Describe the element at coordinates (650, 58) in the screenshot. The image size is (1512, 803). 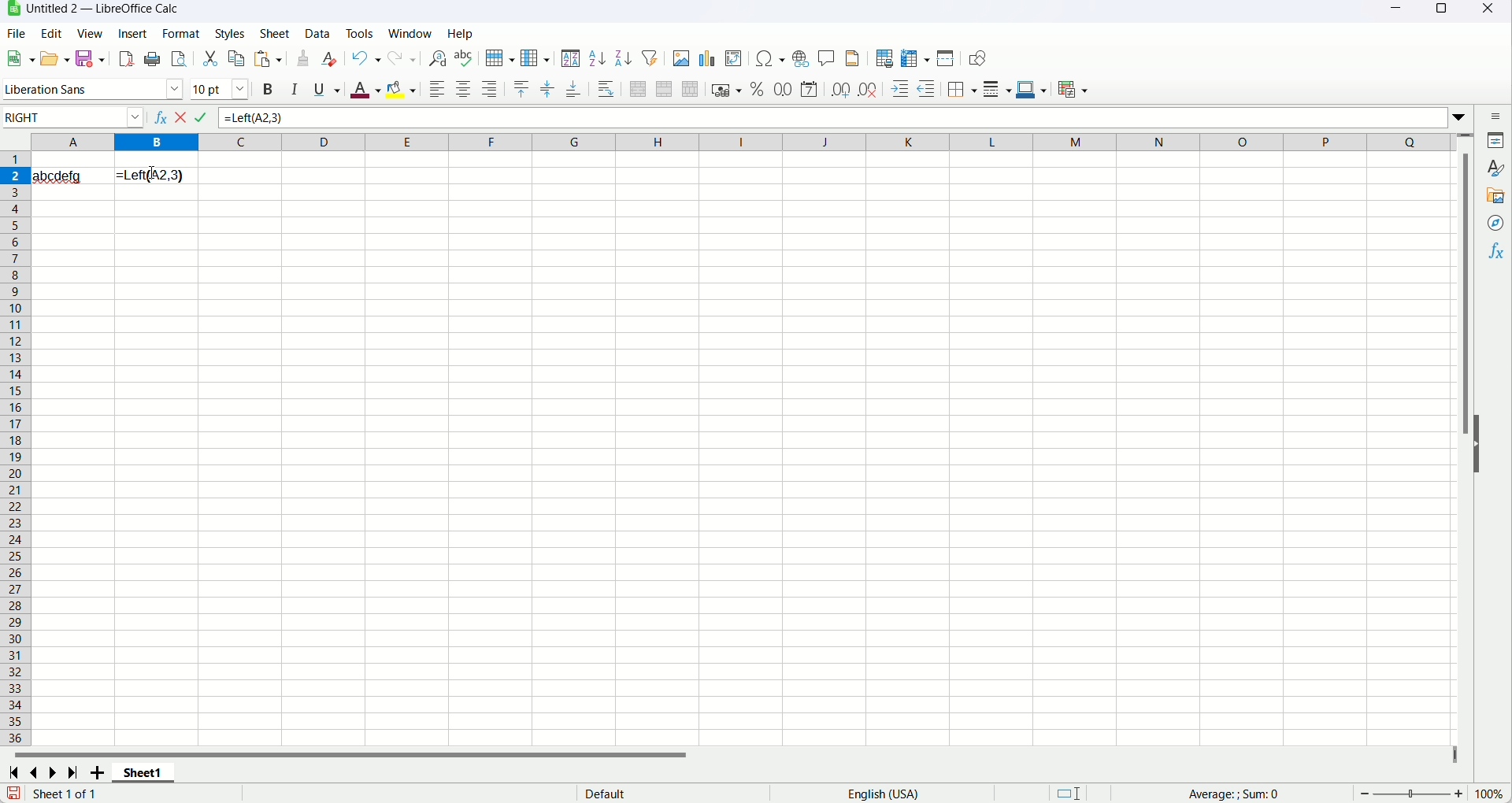
I see `auto filter` at that location.